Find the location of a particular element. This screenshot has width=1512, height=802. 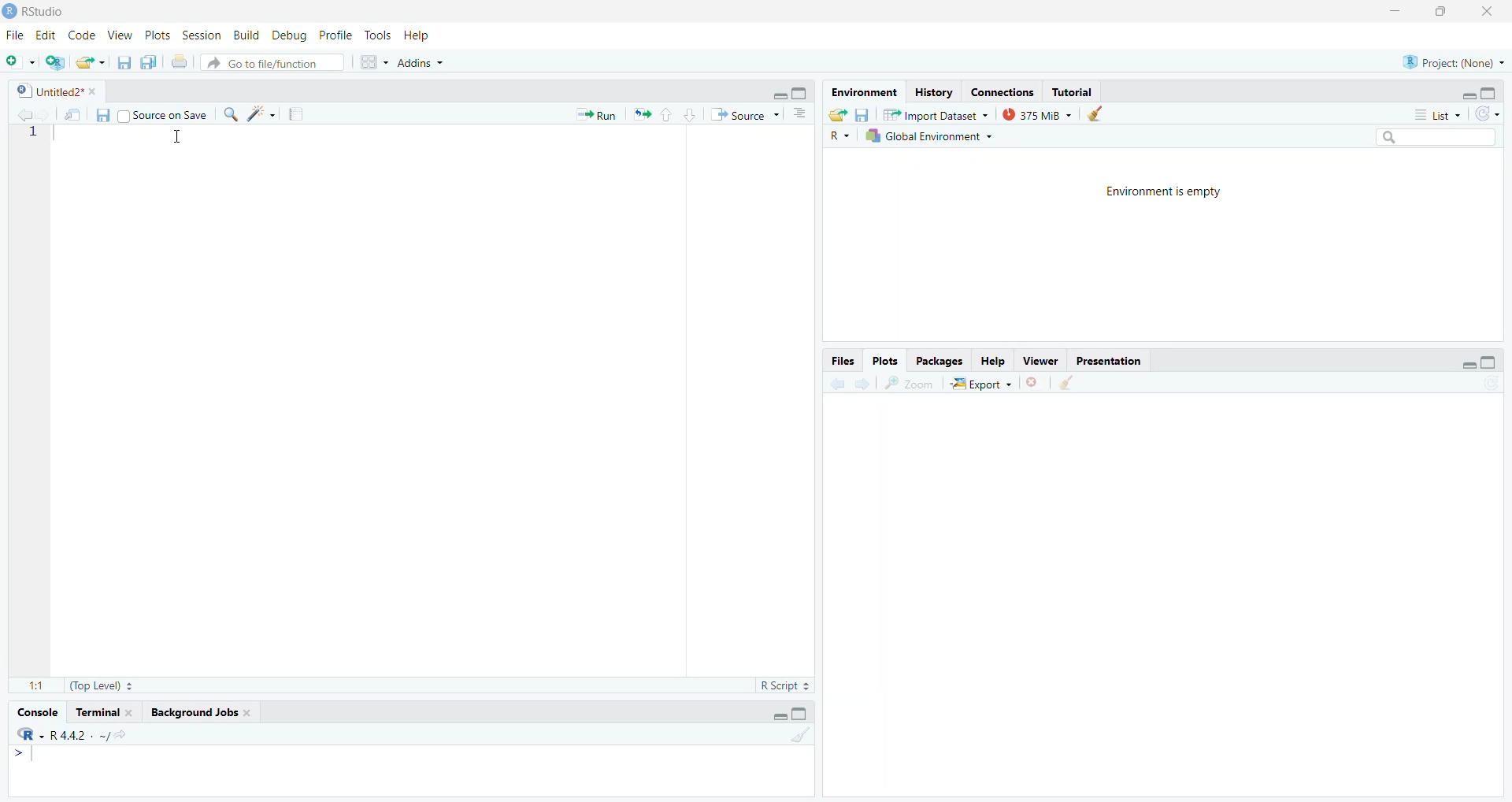

Build is located at coordinates (246, 36).